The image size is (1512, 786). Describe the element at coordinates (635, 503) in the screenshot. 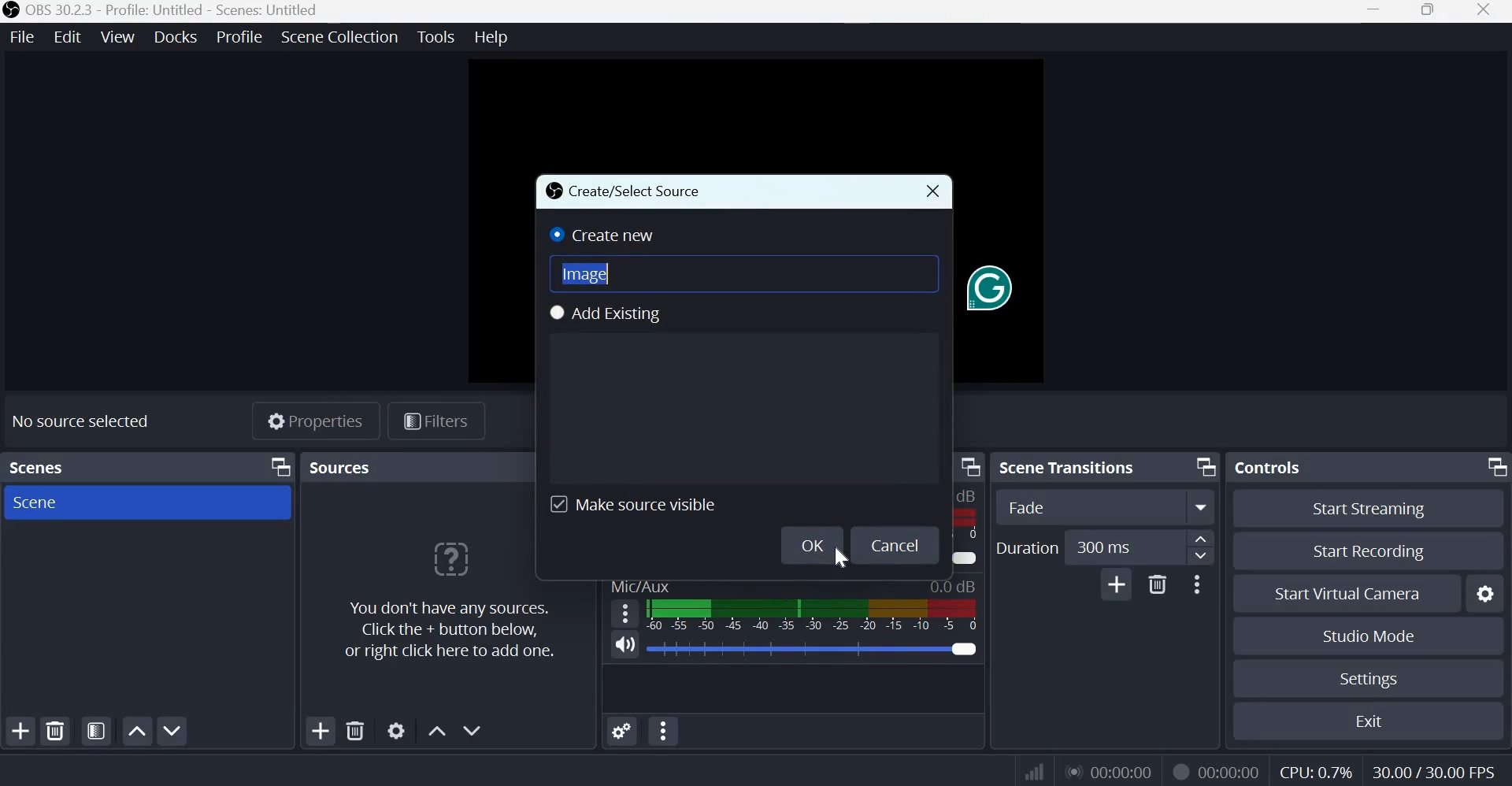

I see `Make source visible` at that location.